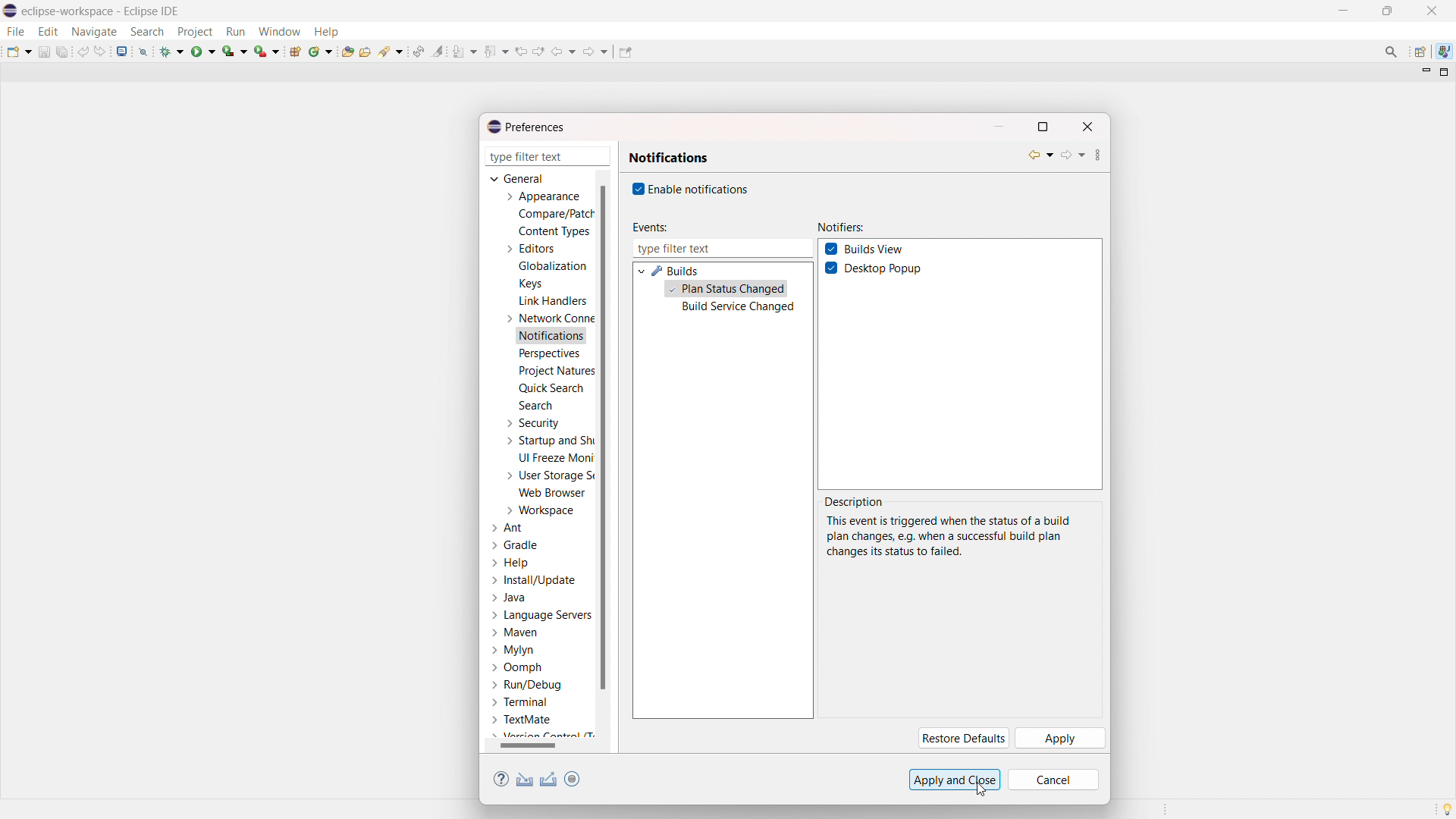  What do you see at coordinates (722, 249) in the screenshot?
I see `type filter text` at bounding box center [722, 249].